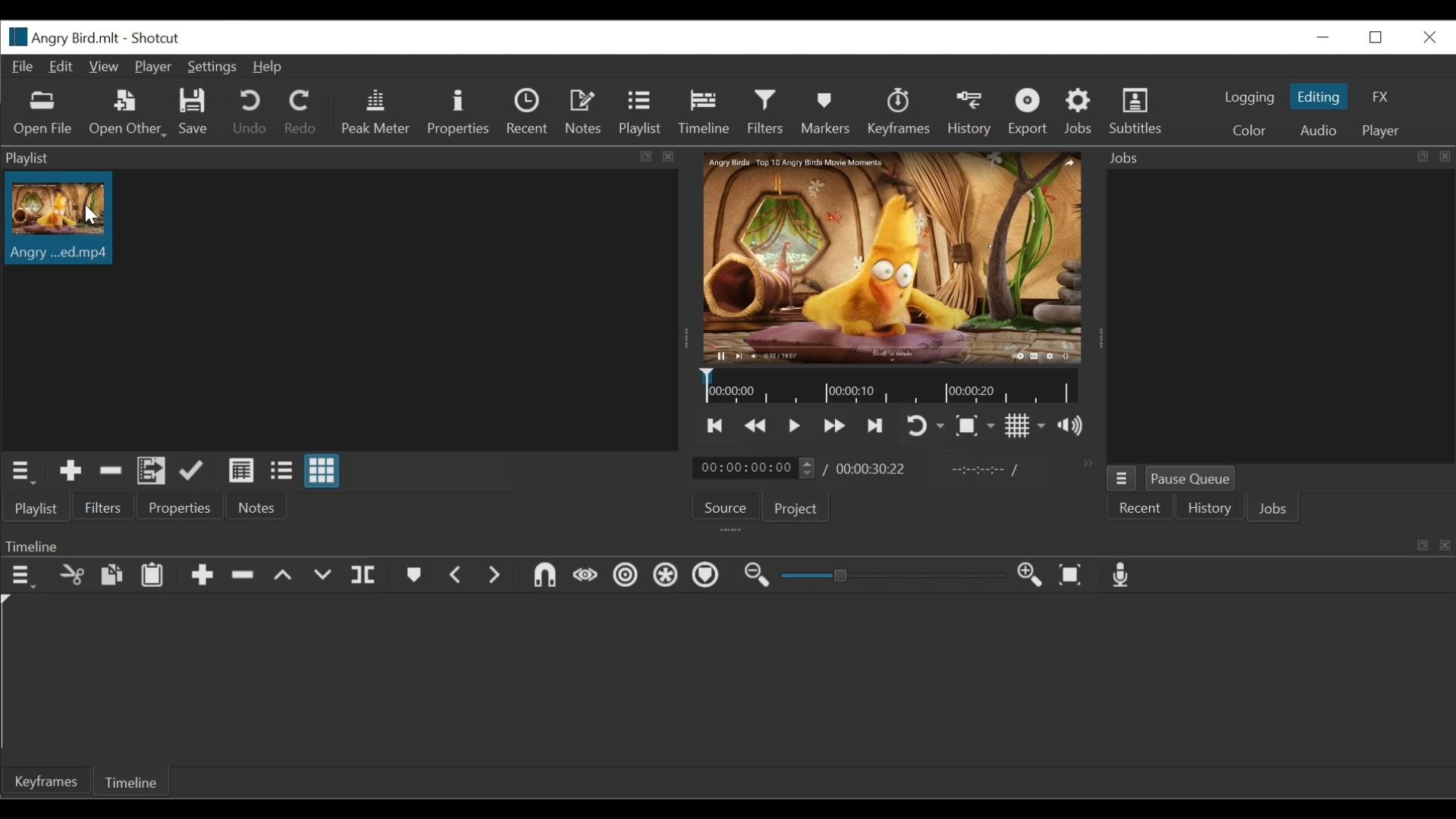 The image size is (1456, 819). What do you see at coordinates (36, 509) in the screenshot?
I see `Playlist` at bounding box center [36, 509].